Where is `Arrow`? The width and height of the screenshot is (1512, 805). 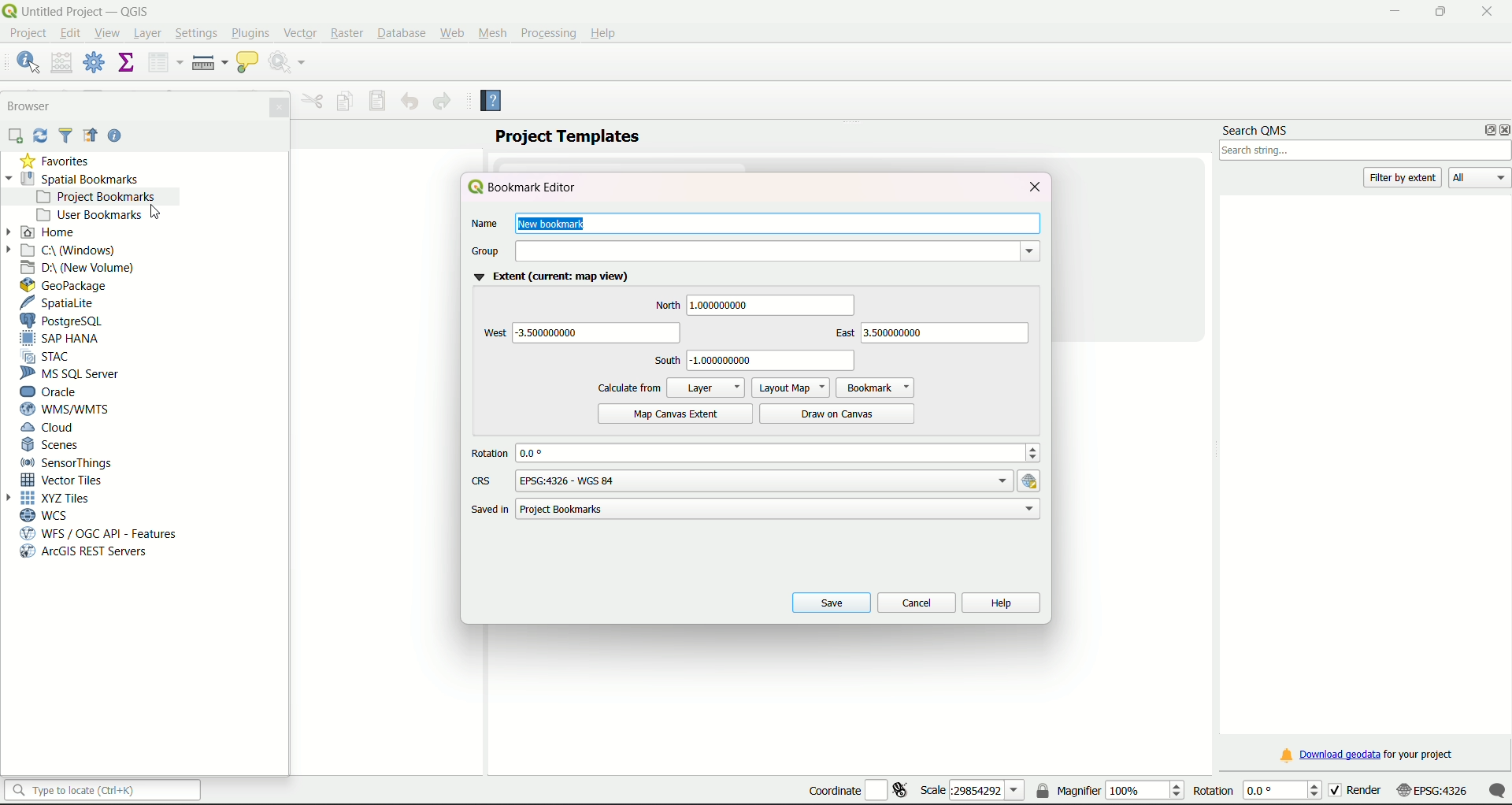 Arrow is located at coordinates (13, 499).